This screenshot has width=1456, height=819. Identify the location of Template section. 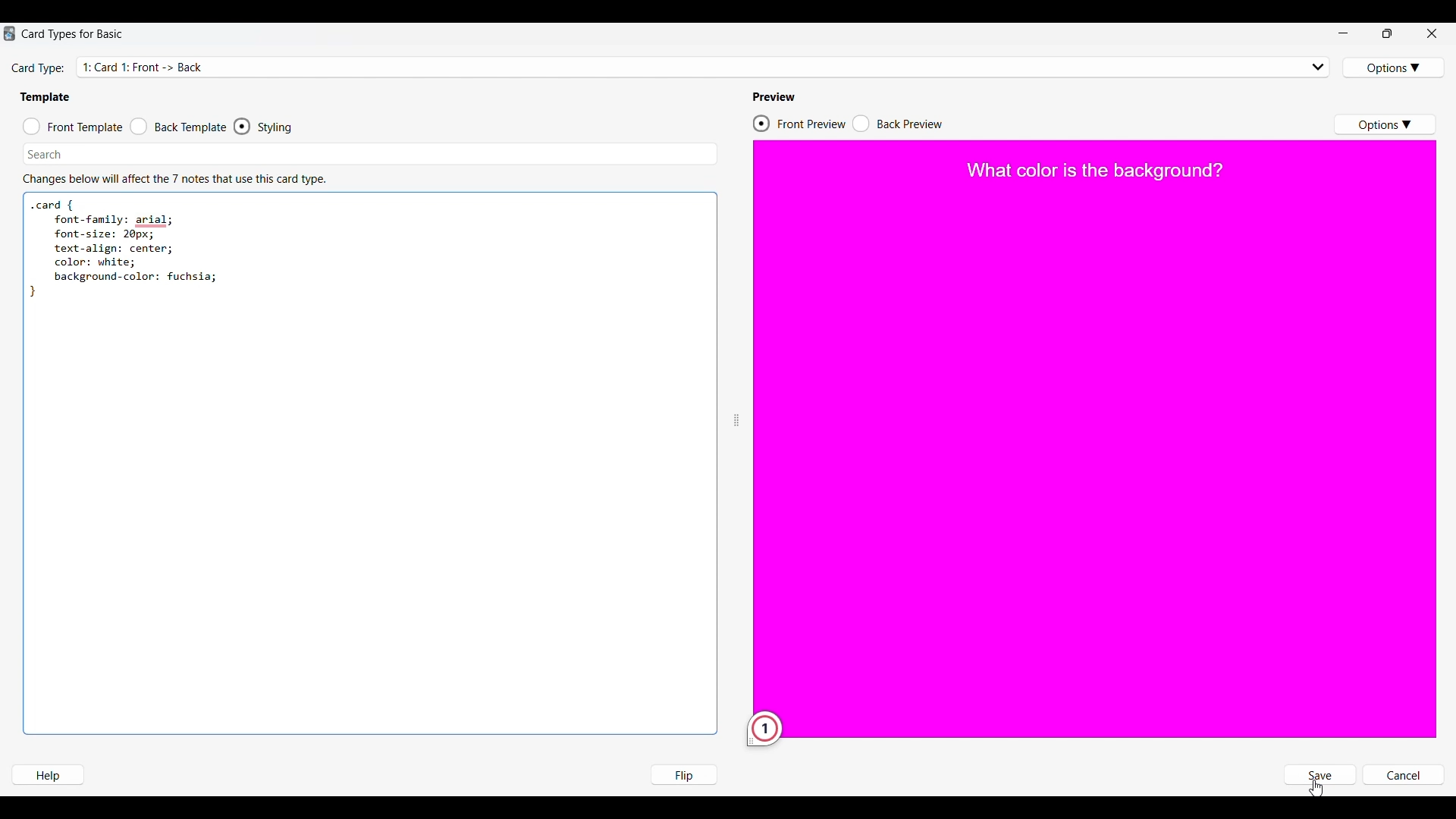
(45, 97).